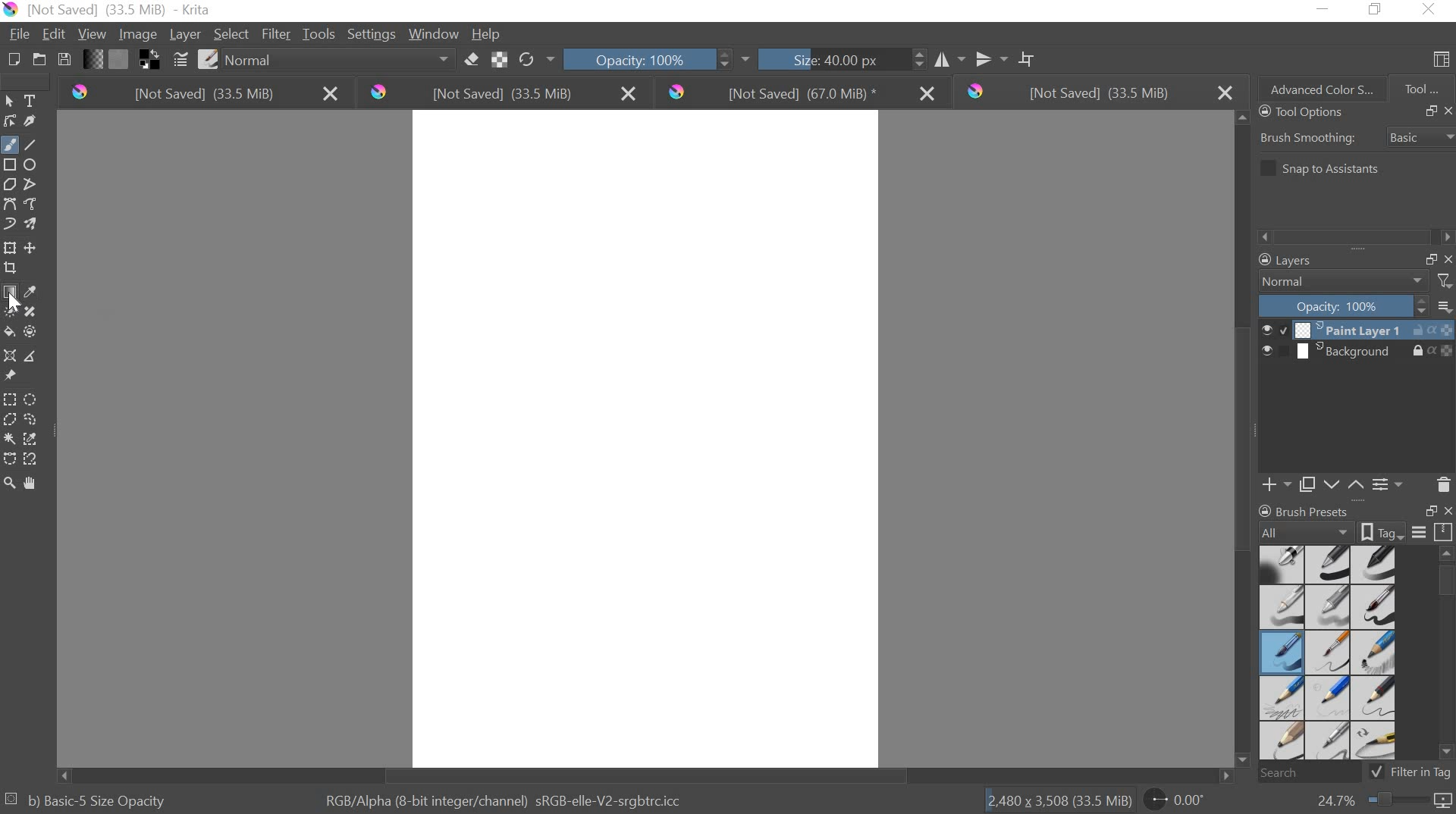 This screenshot has width=1456, height=814. What do you see at coordinates (9, 163) in the screenshot?
I see `rectangle` at bounding box center [9, 163].